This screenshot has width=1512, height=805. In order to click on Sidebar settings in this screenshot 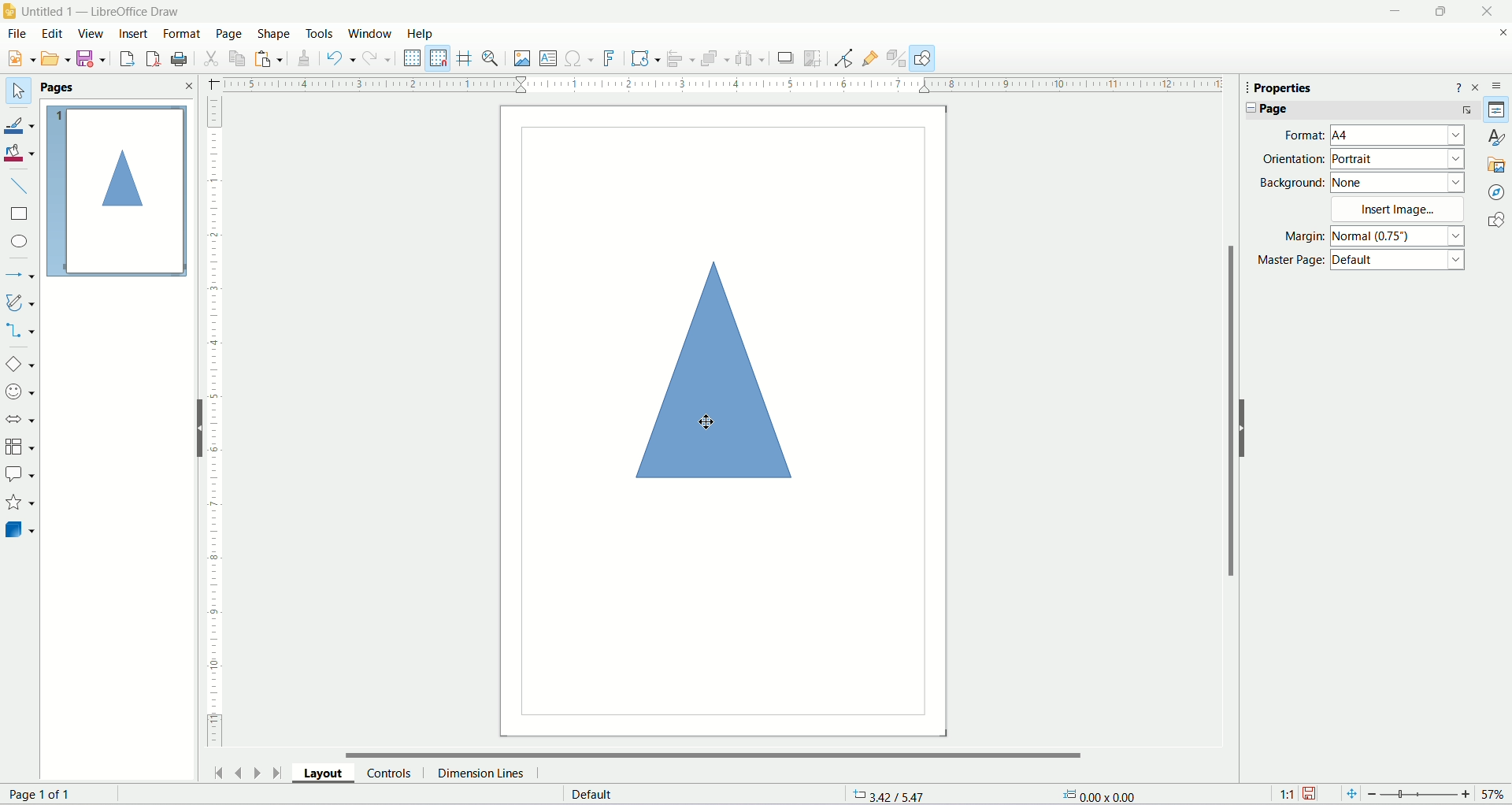, I will do `click(1499, 85)`.